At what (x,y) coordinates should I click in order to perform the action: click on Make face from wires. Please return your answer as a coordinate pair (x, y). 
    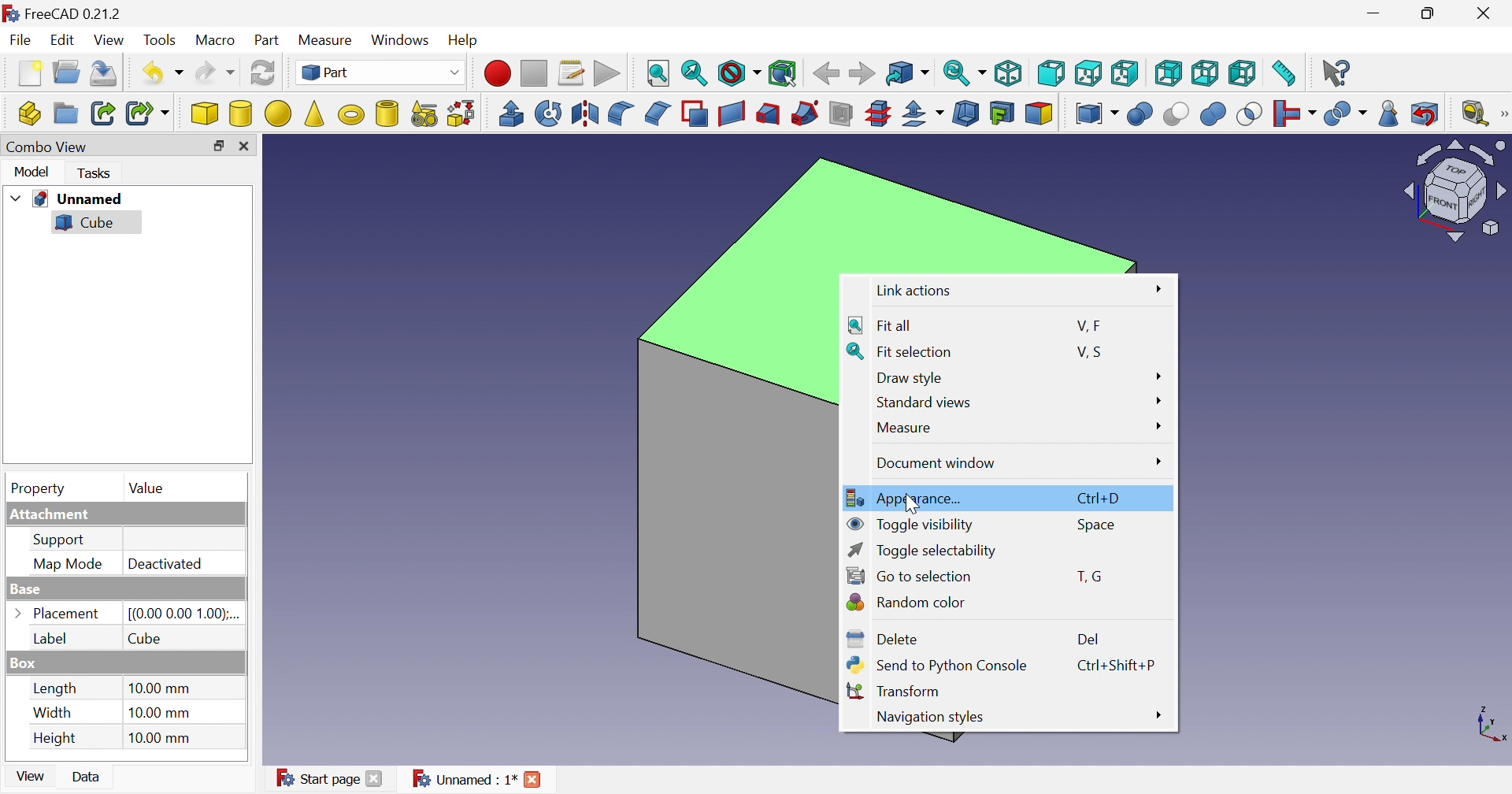
    Looking at the image, I should click on (695, 114).